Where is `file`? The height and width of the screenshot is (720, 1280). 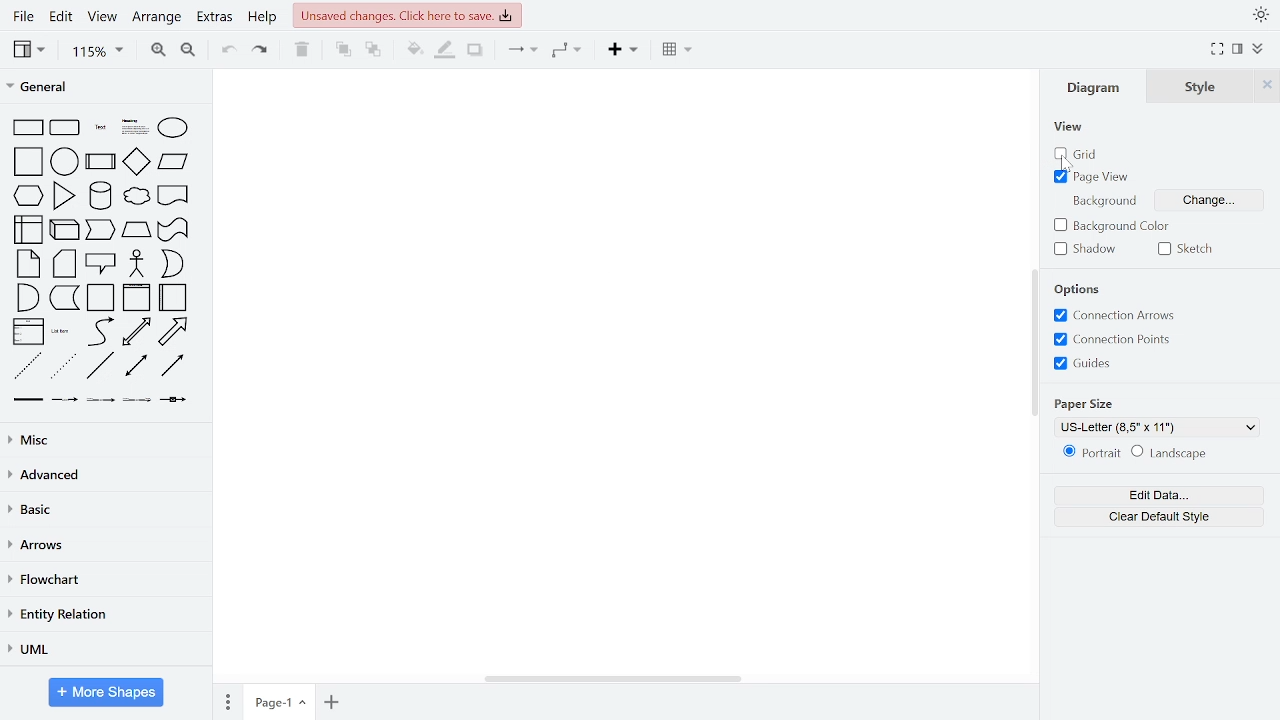 file is located at coordinates (24, 16).